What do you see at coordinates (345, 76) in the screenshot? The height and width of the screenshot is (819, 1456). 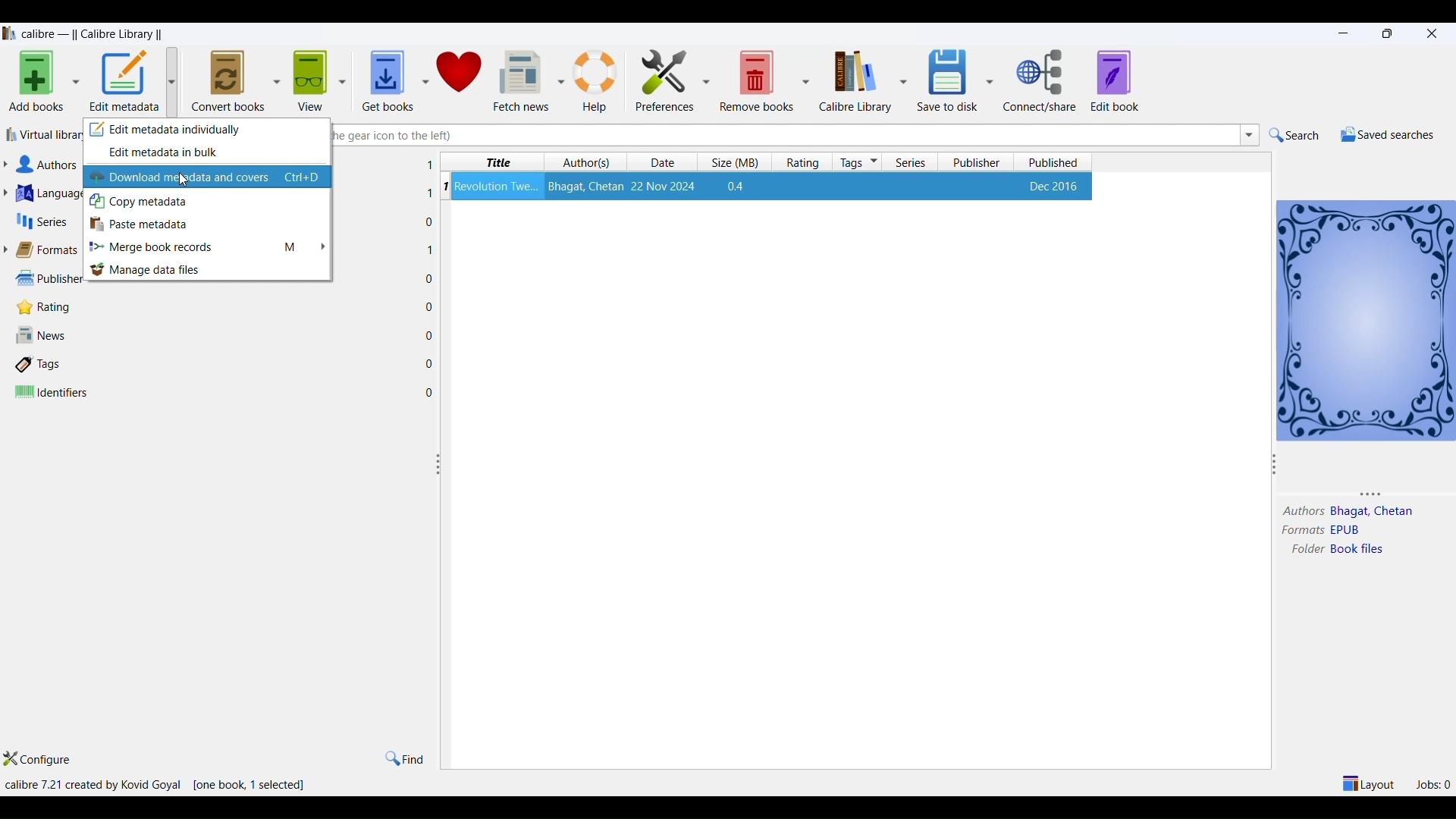 I see `view options dropdown button` at bounding box center [345, 76].